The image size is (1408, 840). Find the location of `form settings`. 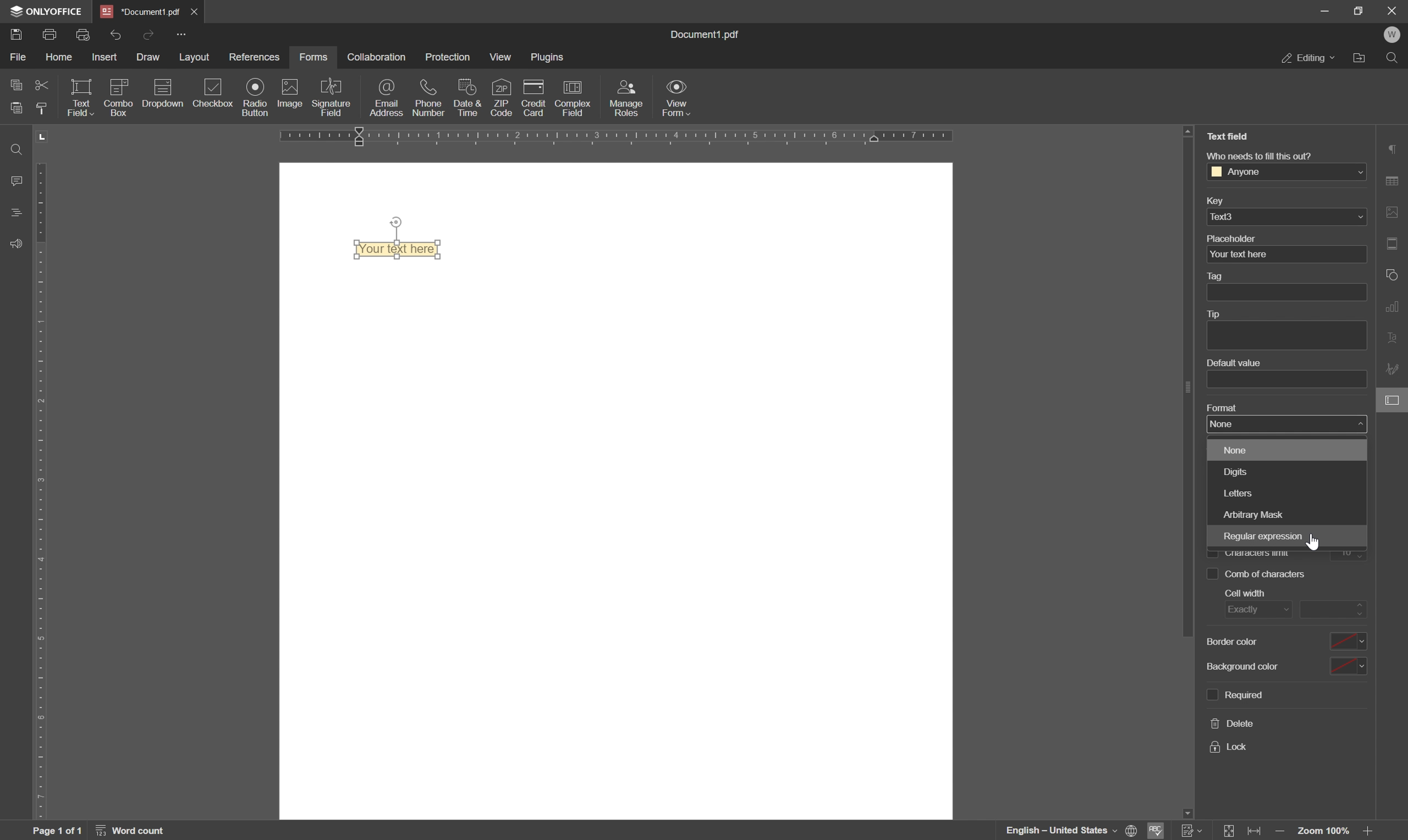

form settings is located at coordinates (1394, 402).